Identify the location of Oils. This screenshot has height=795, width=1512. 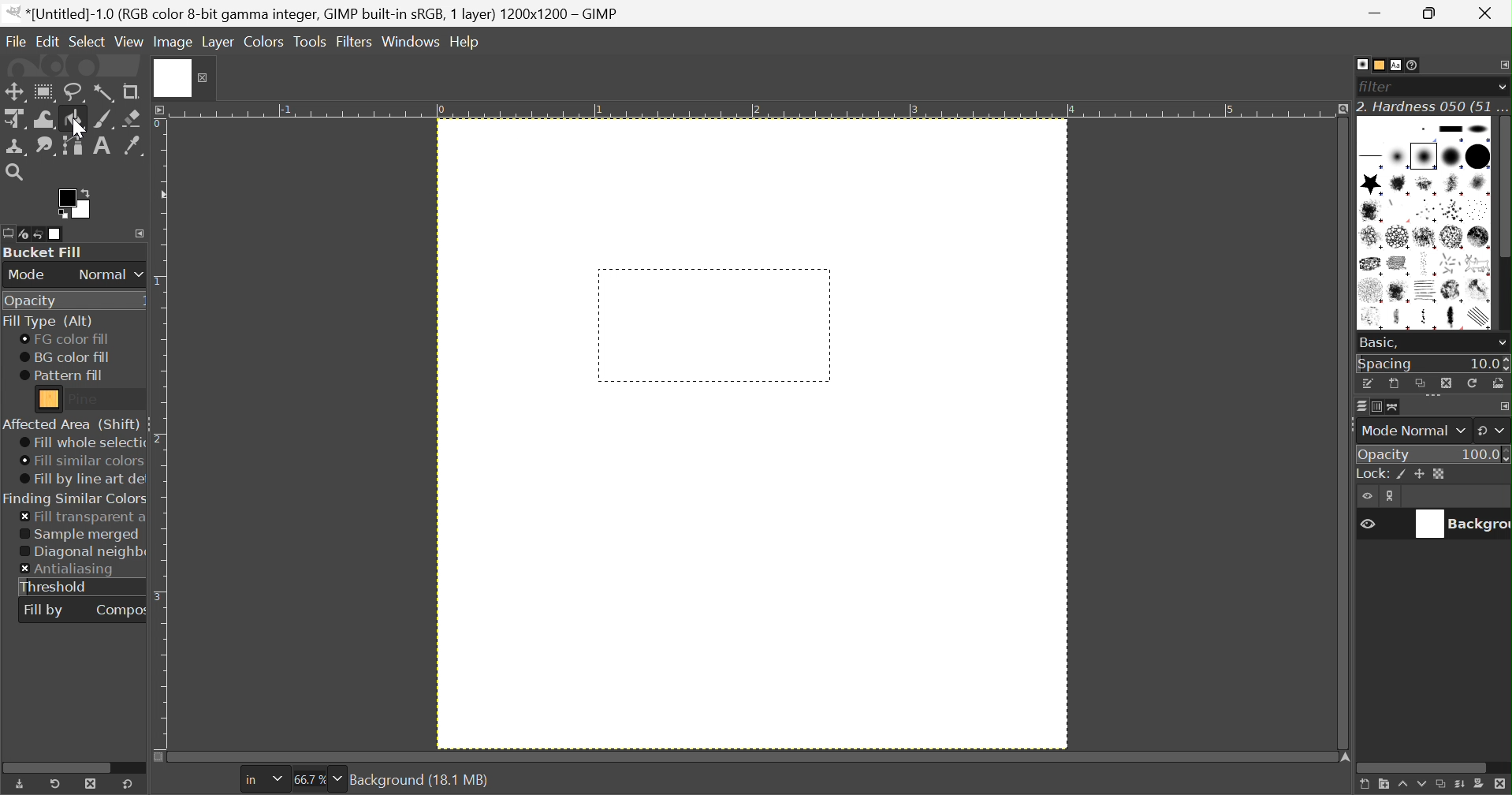
(1479, 289).